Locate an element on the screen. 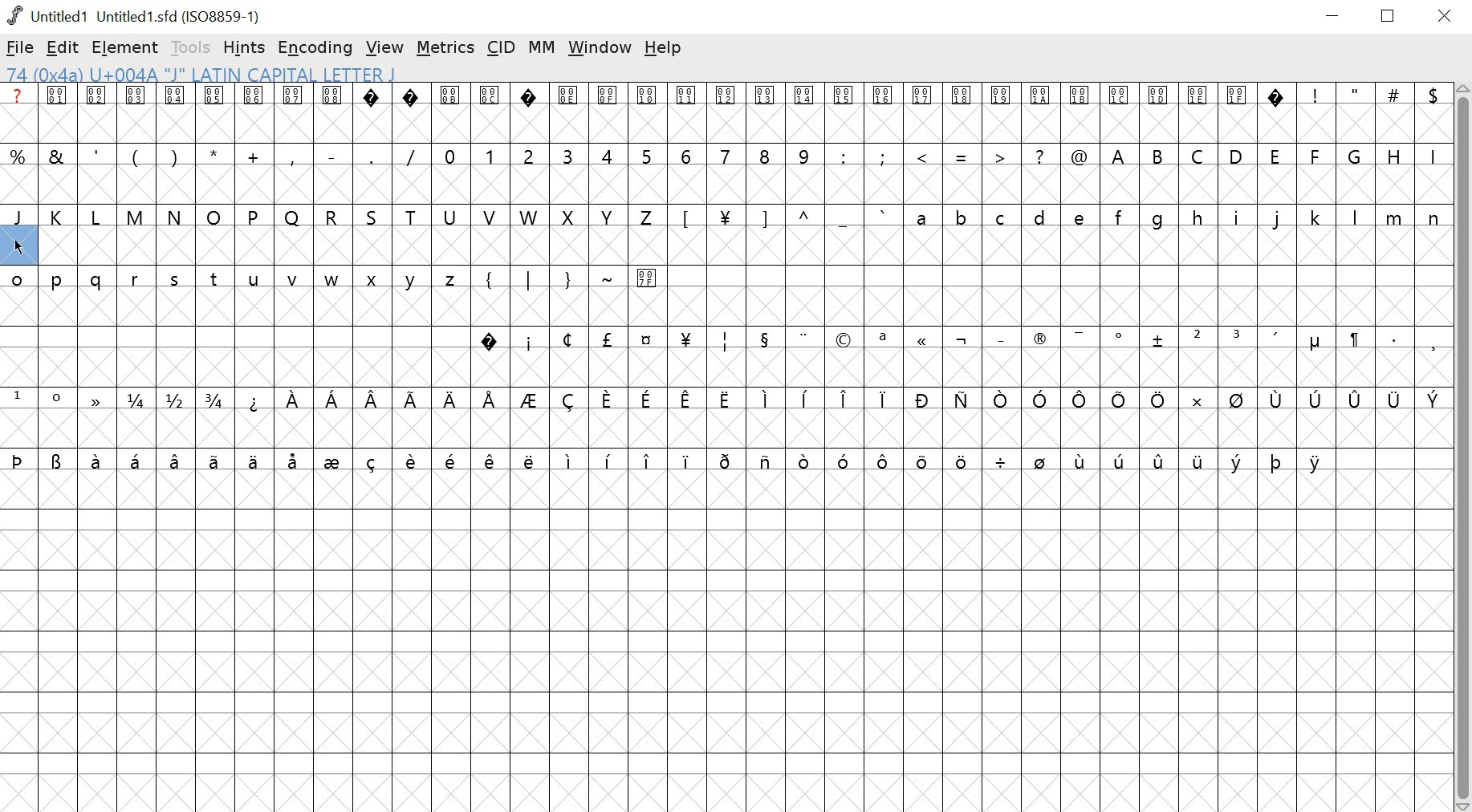 This screenshot has height=812, width=1472. ELEMENT is located at coordinates (127, 48).